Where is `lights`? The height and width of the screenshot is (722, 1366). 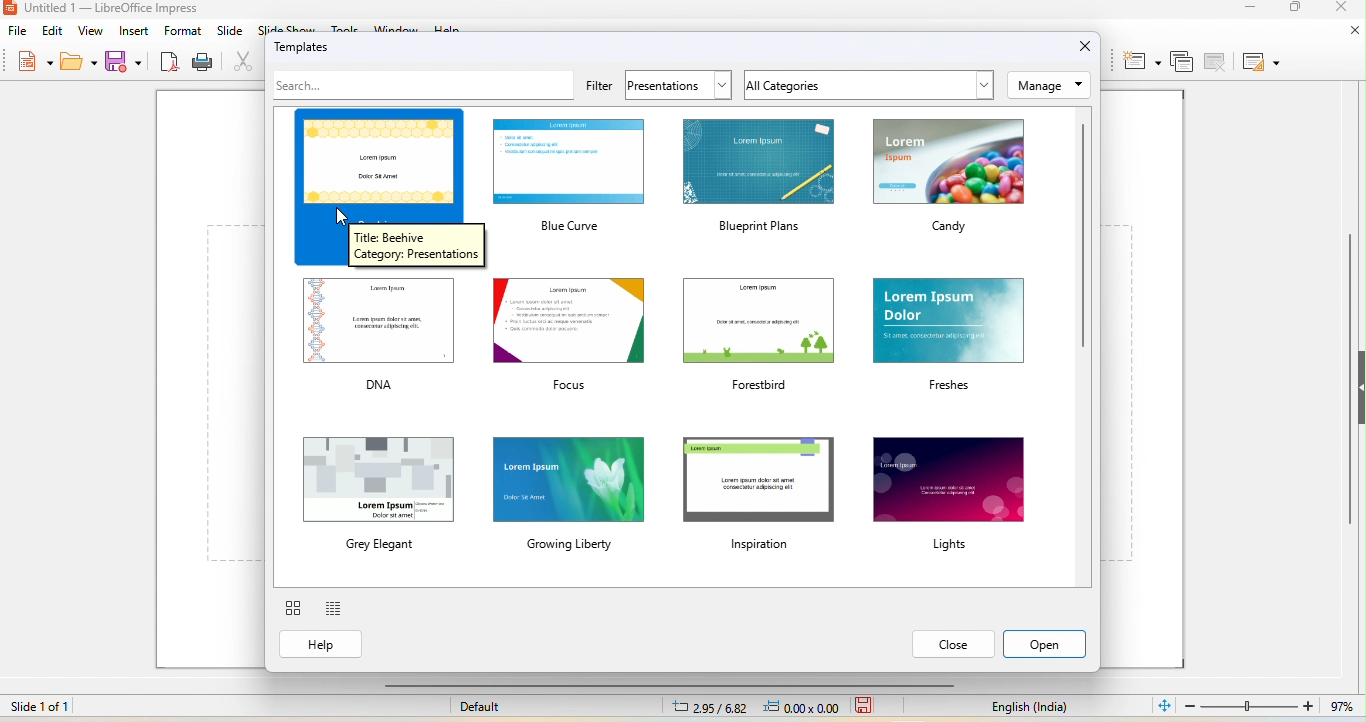 lights is located at coordinates (951, 493).